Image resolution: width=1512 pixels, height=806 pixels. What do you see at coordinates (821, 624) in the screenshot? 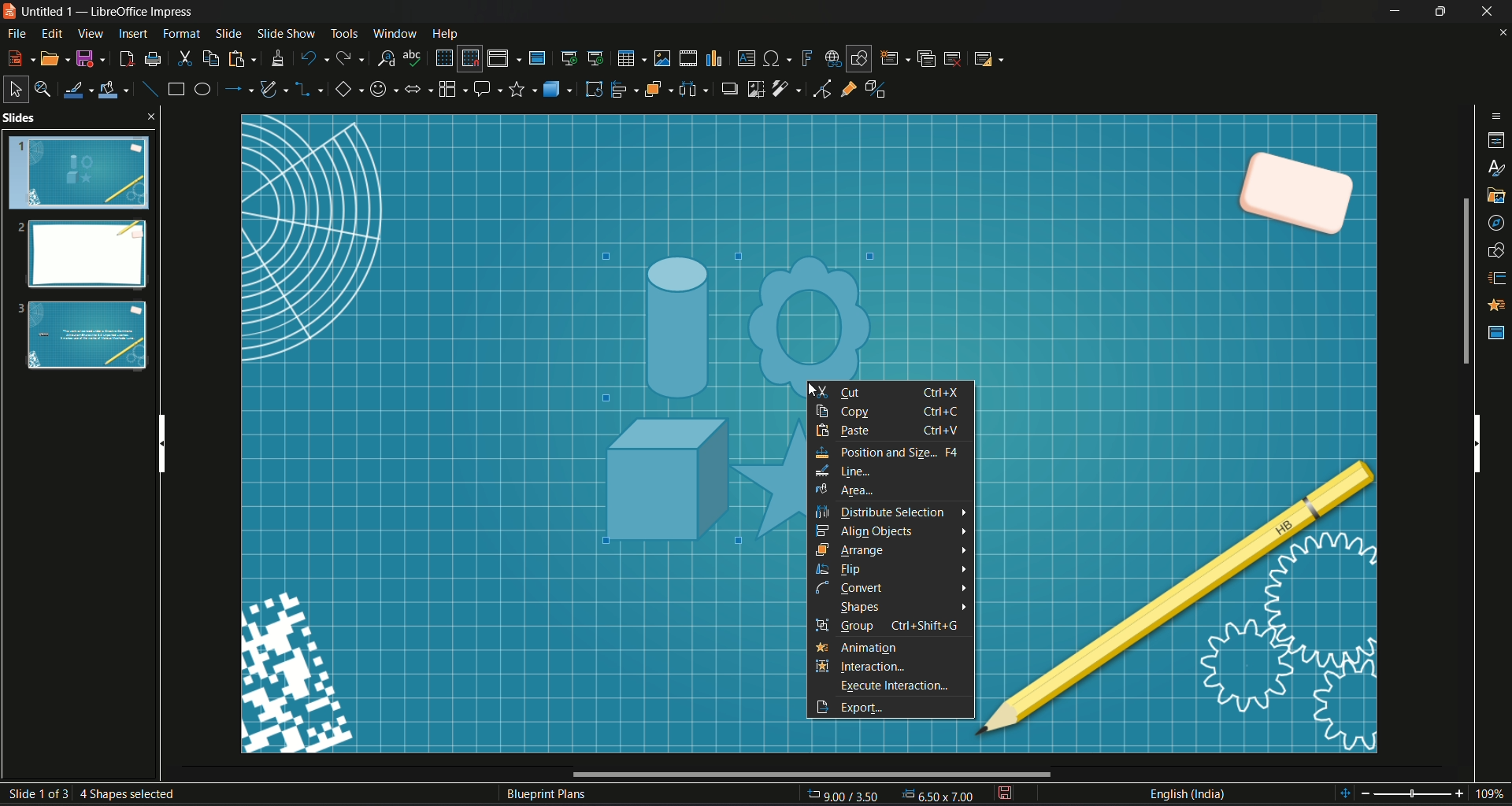
I see `group` at bounding box center [821, 624].